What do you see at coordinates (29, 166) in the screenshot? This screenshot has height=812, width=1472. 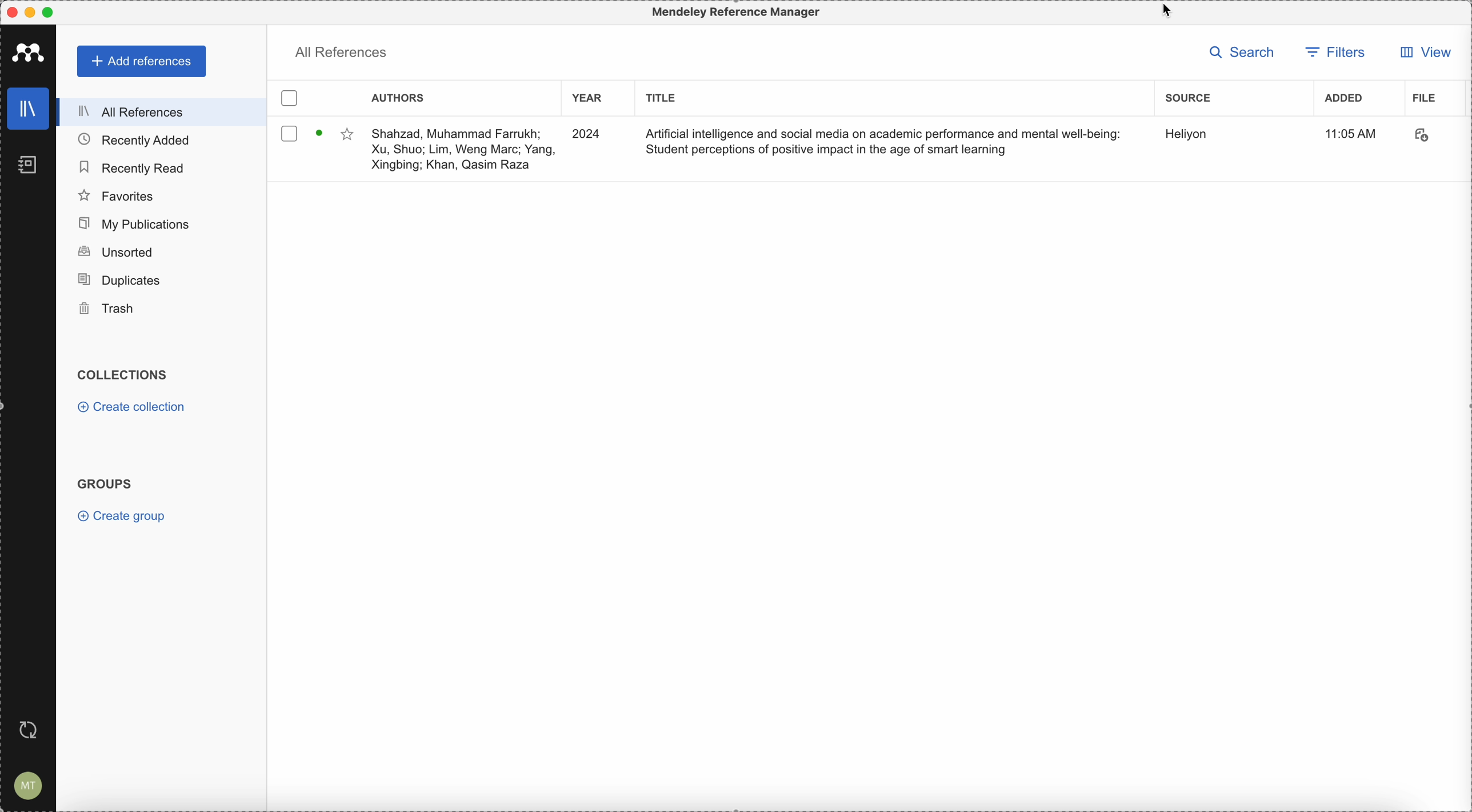 I see `notebooks` at bounding box center [29, 166].